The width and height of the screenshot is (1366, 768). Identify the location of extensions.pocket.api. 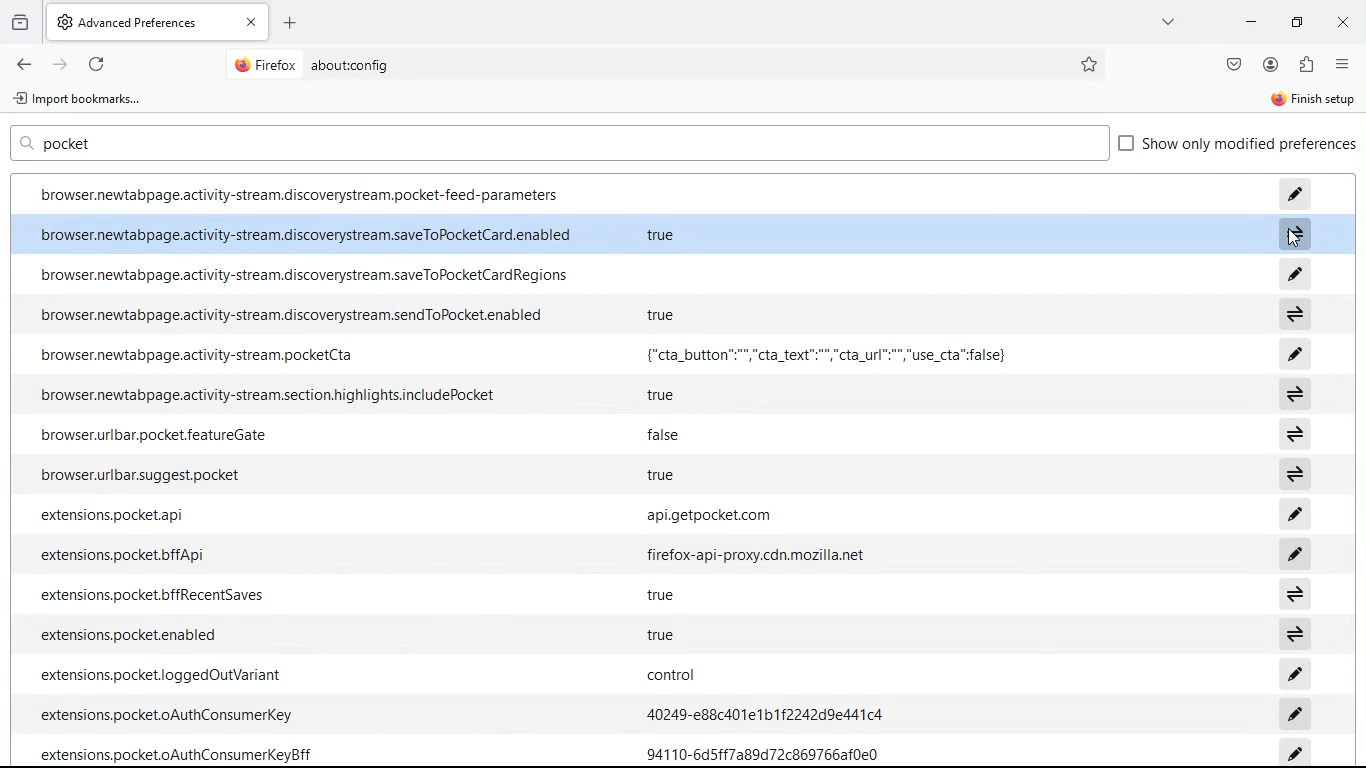
(113, 516).